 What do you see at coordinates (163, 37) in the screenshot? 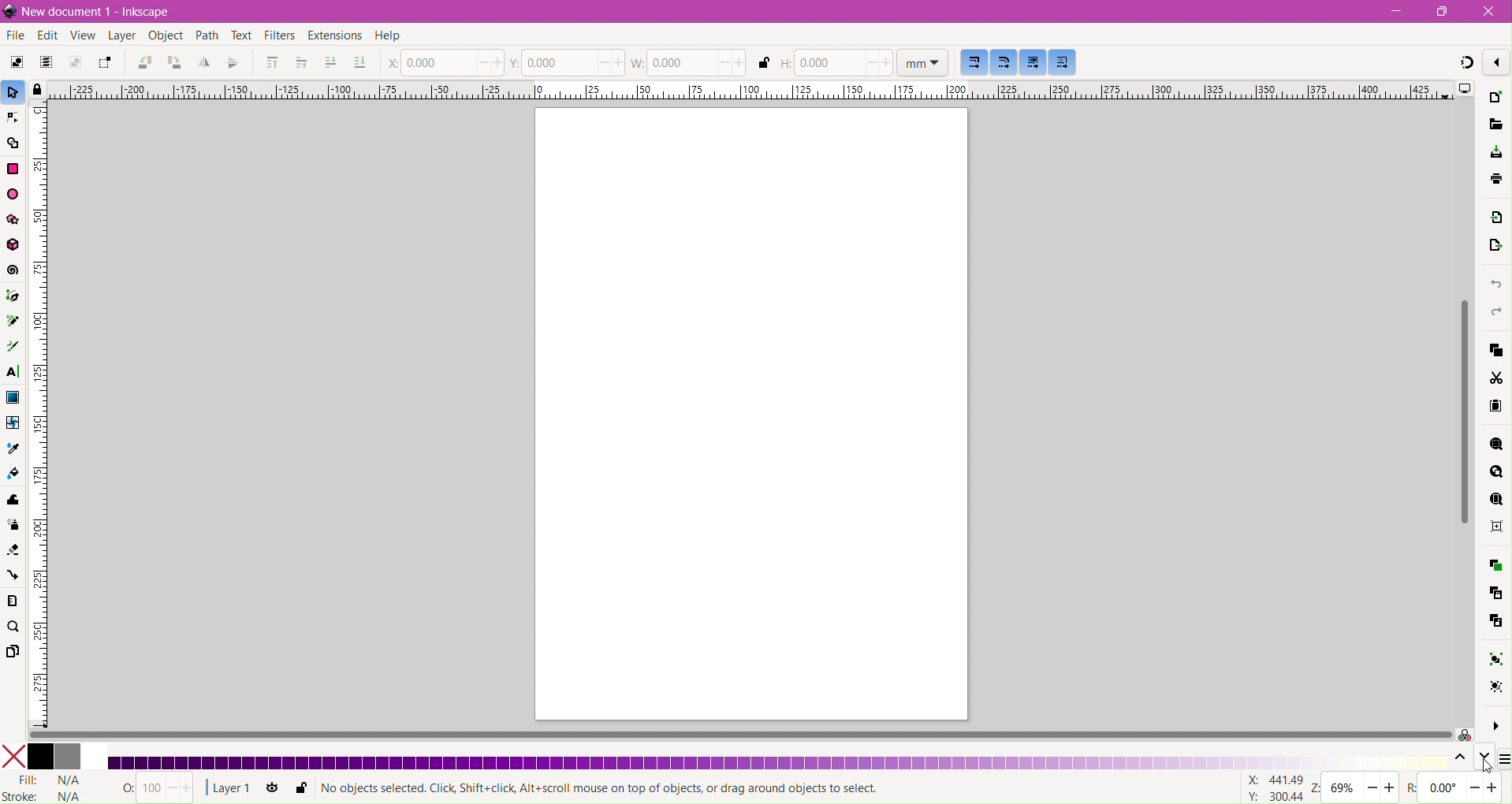
I see `Object` at bounding box center [163, 37].